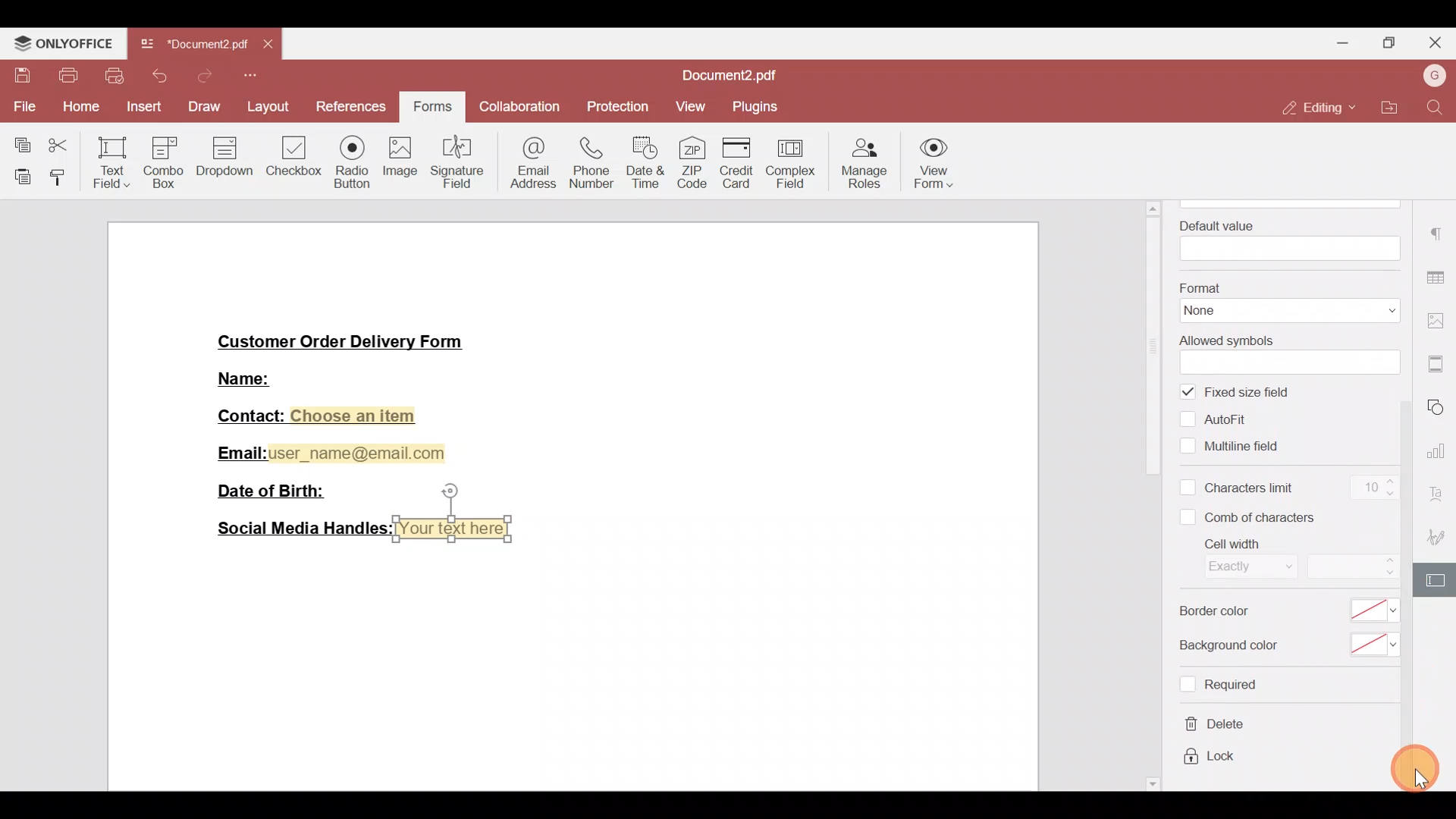 This screenshot has height=819, width=1456. I want to click on Border color, so click(1285, 614).